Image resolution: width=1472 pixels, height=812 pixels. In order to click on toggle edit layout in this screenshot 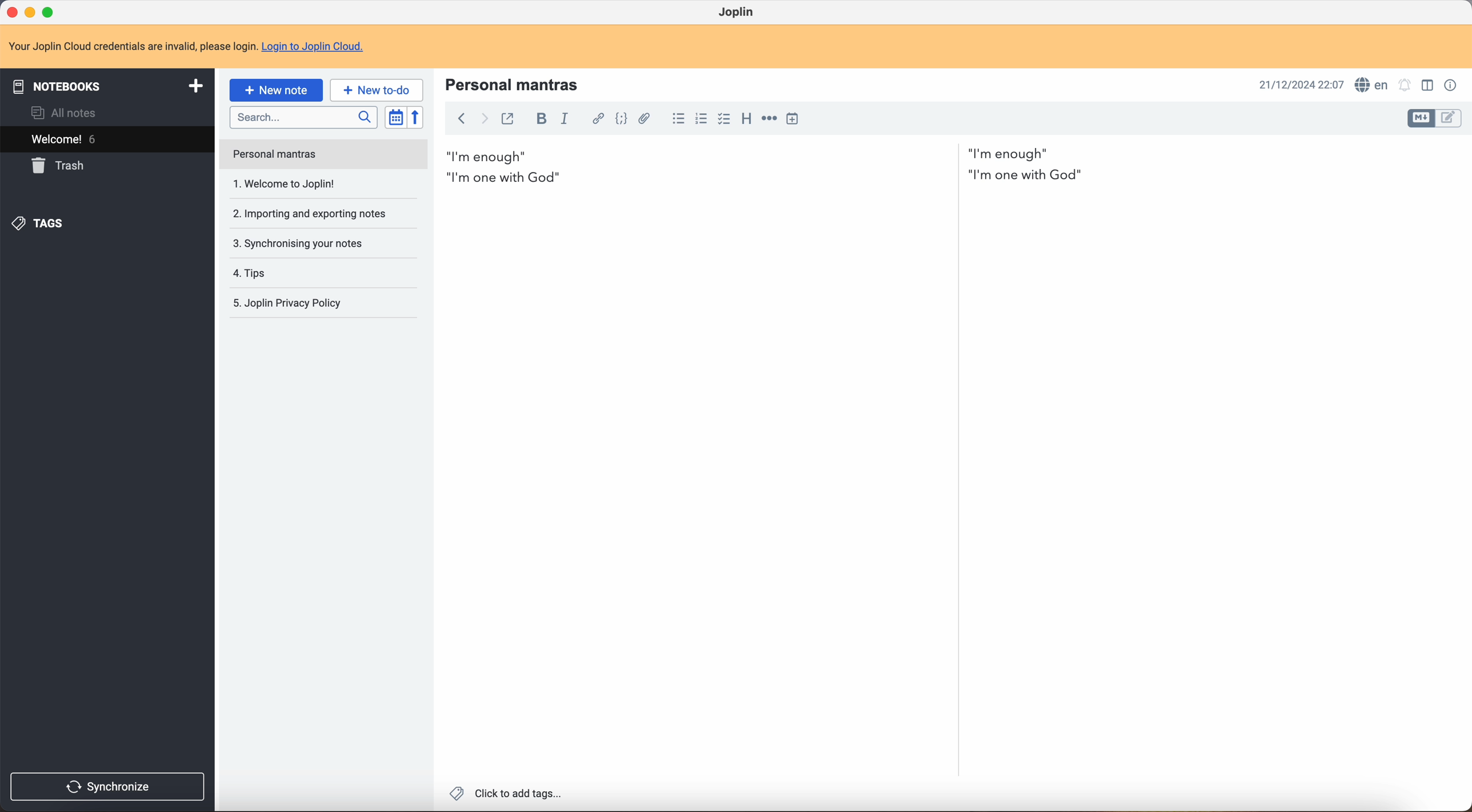, I will do `click(1422, 119)`.